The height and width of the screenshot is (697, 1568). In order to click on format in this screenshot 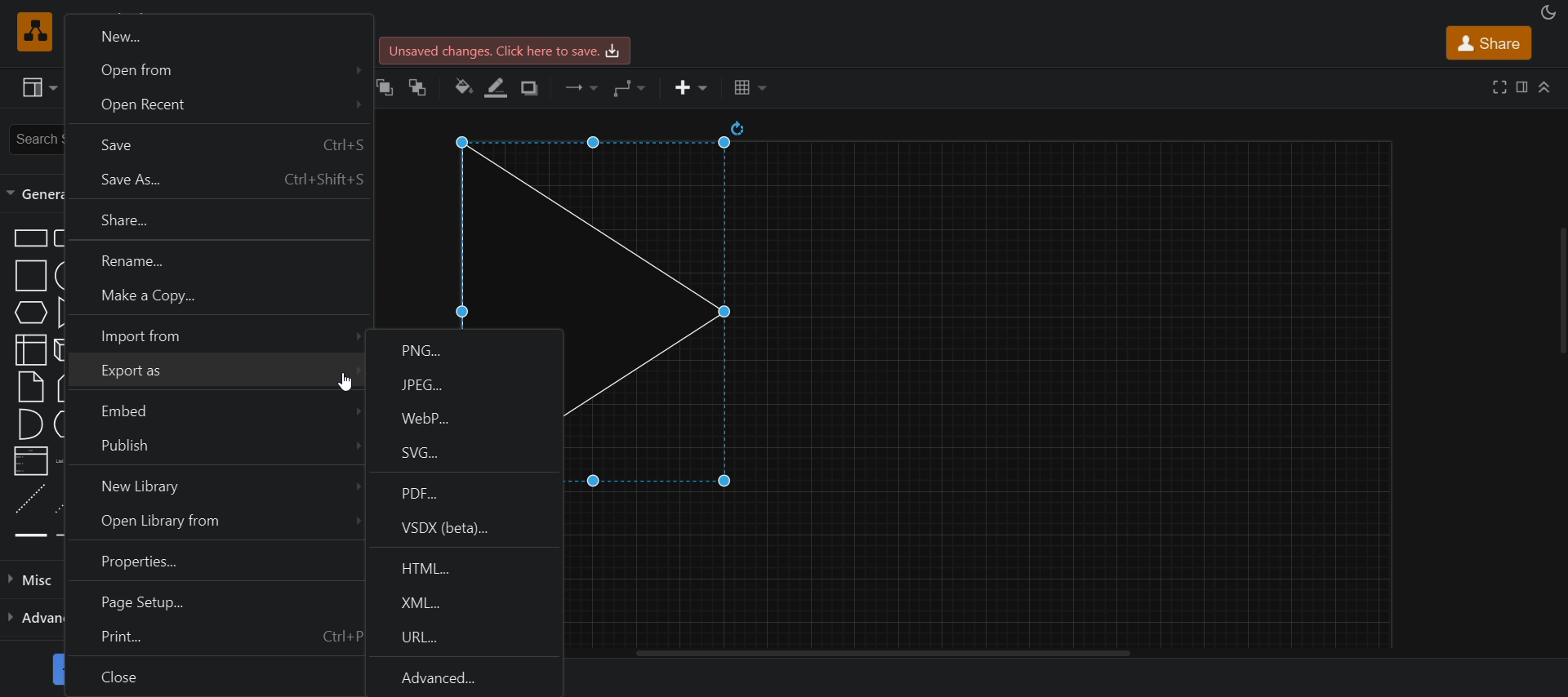, I will do `click(1519, 87)`.